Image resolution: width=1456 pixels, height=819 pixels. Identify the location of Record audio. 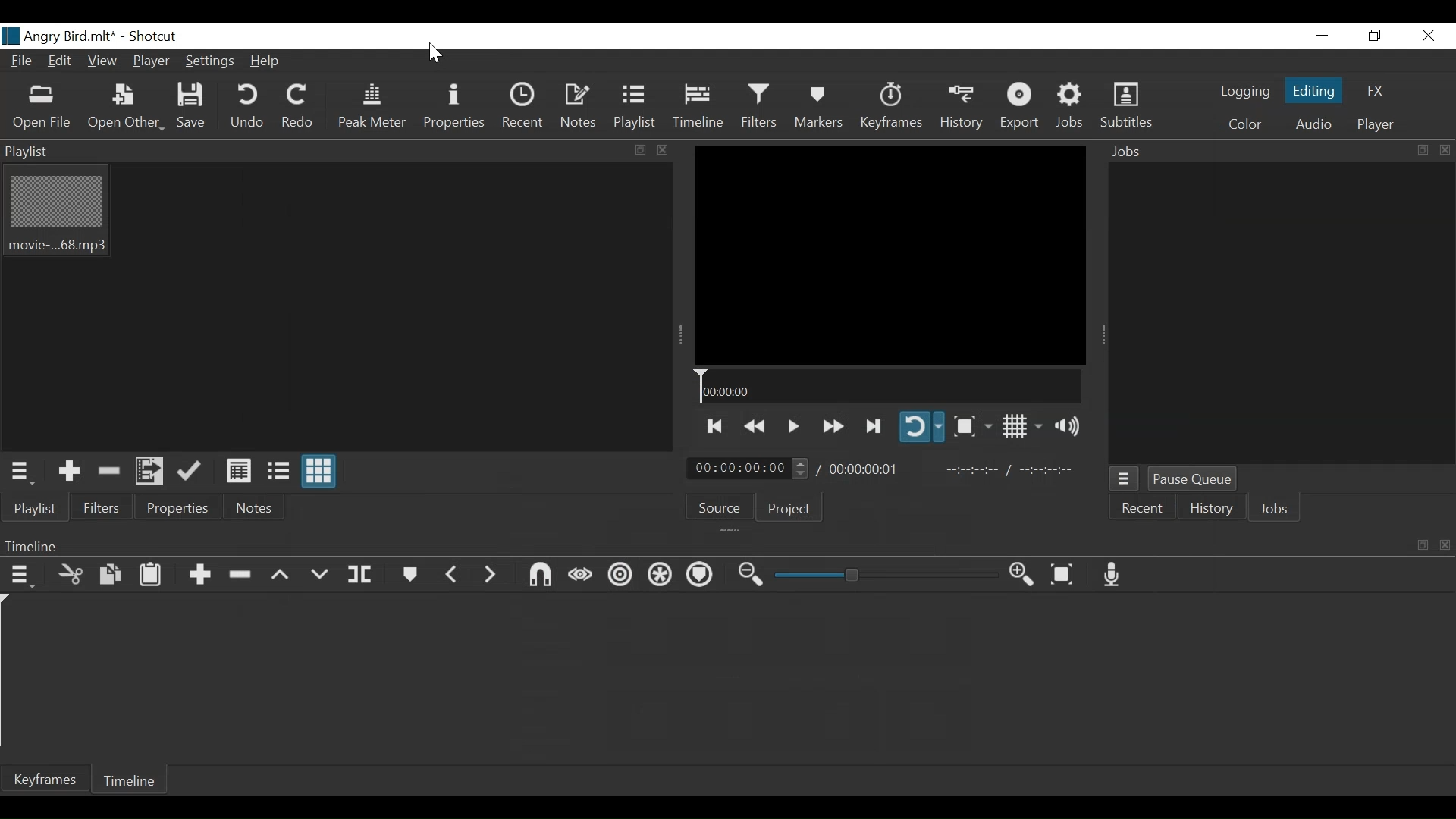
(1114, 576).